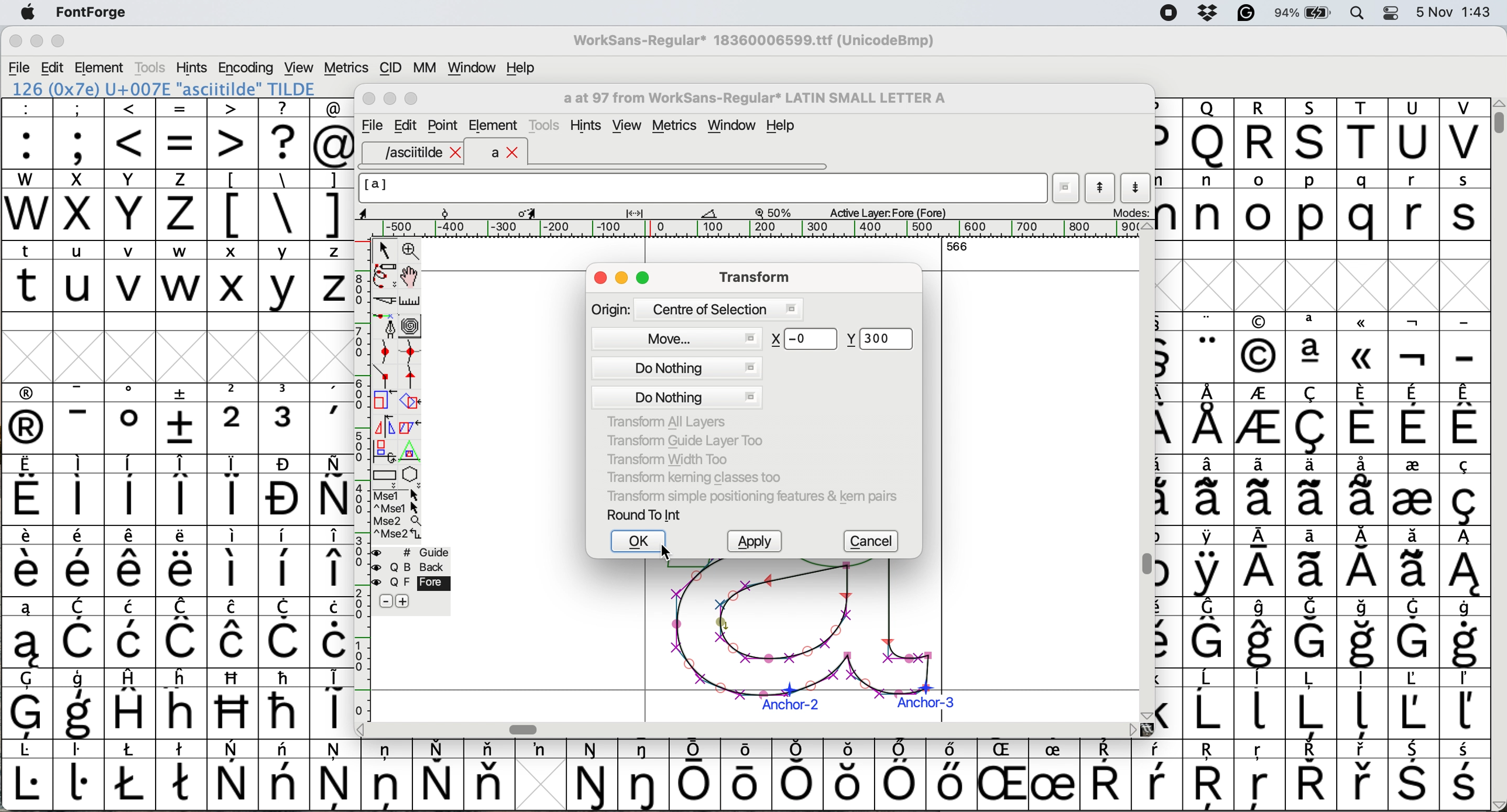  I want to click on scroll button, so click(1147, 227).